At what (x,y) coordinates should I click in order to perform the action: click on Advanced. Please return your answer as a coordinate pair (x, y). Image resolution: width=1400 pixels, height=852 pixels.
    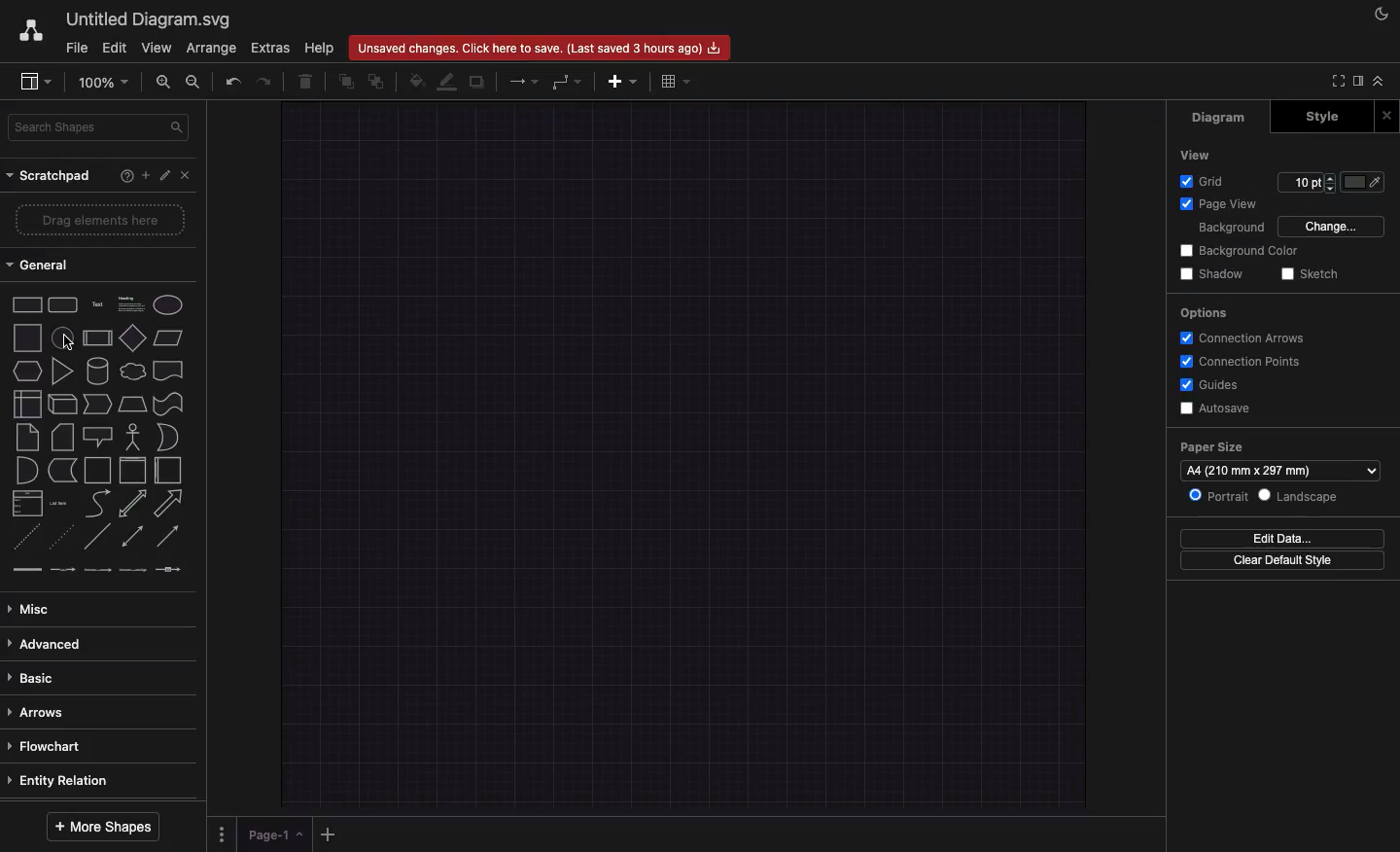
    Looking at the image, I should click on (48, 644).